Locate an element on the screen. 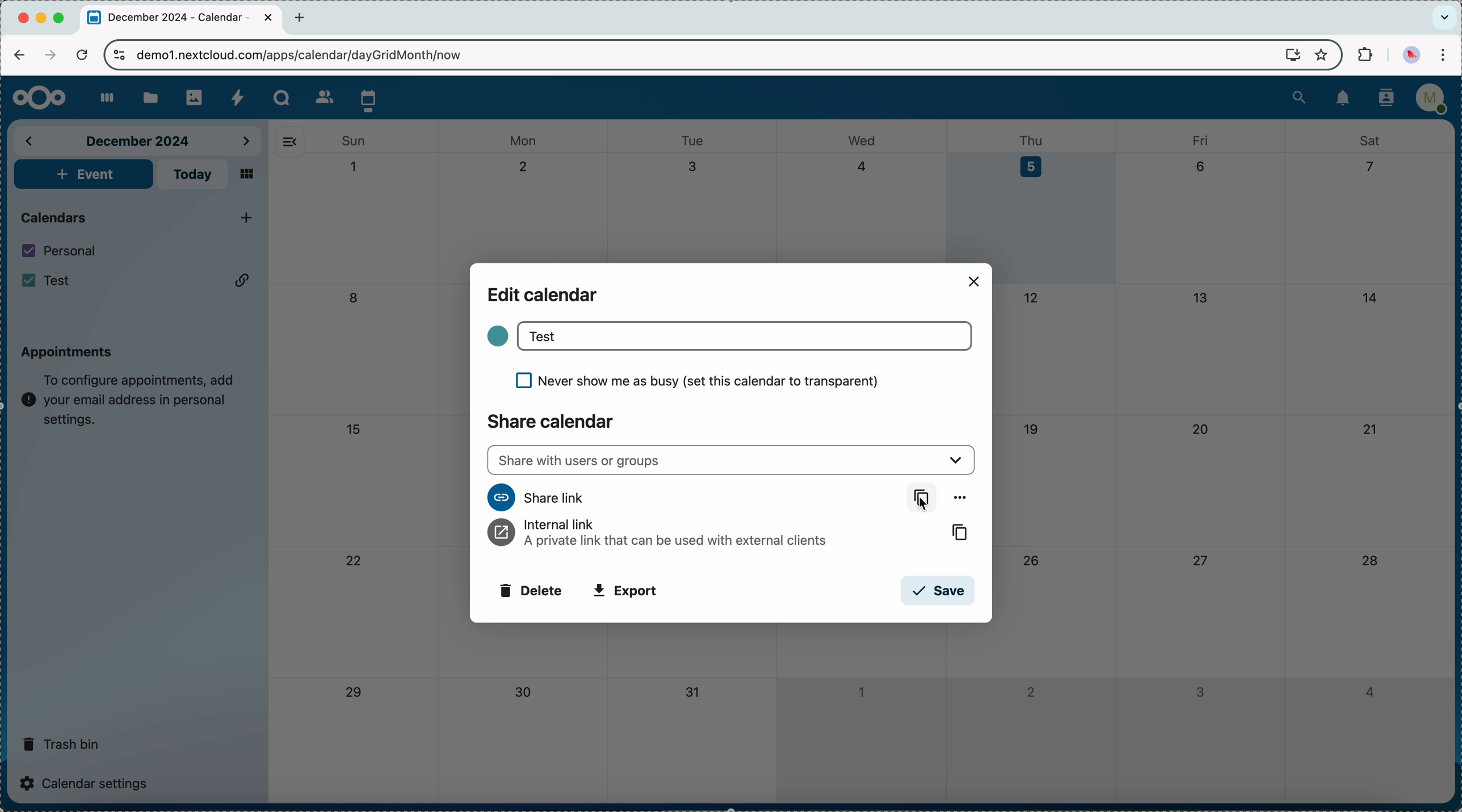  contacts is located at coordinates (1383, 99).